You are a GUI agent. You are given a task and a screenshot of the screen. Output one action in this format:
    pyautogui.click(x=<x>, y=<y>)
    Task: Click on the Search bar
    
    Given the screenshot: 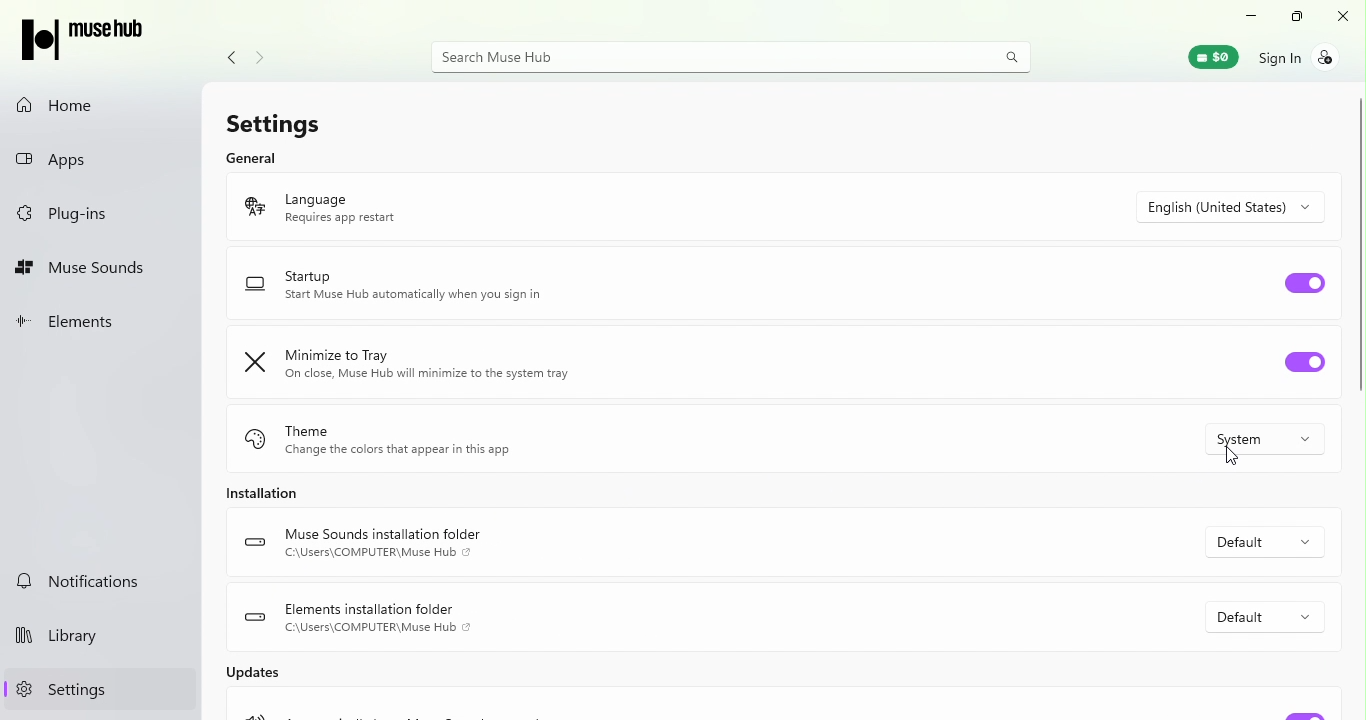 What is the action you would take?
    pyautogui.click(x=732, y=60)
    